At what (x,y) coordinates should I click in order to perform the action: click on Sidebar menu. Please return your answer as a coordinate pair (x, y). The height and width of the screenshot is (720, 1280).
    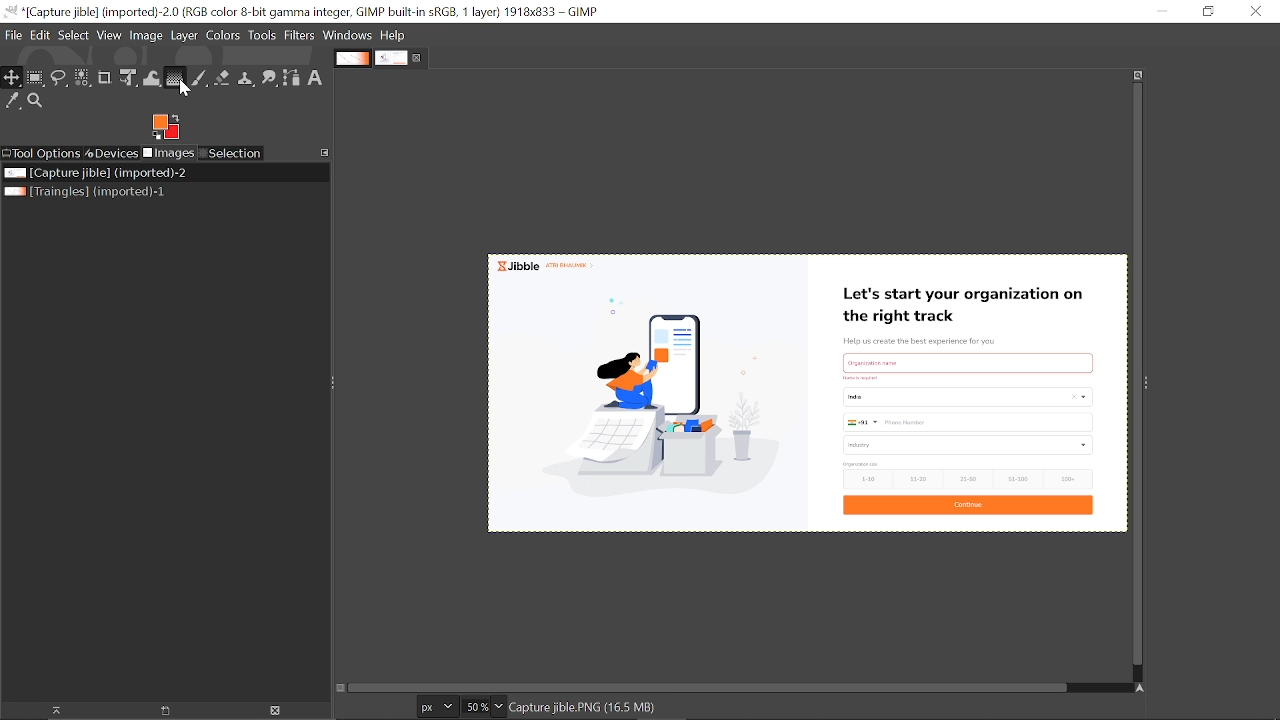
    Looking at the image, I should click on (1152, 379).